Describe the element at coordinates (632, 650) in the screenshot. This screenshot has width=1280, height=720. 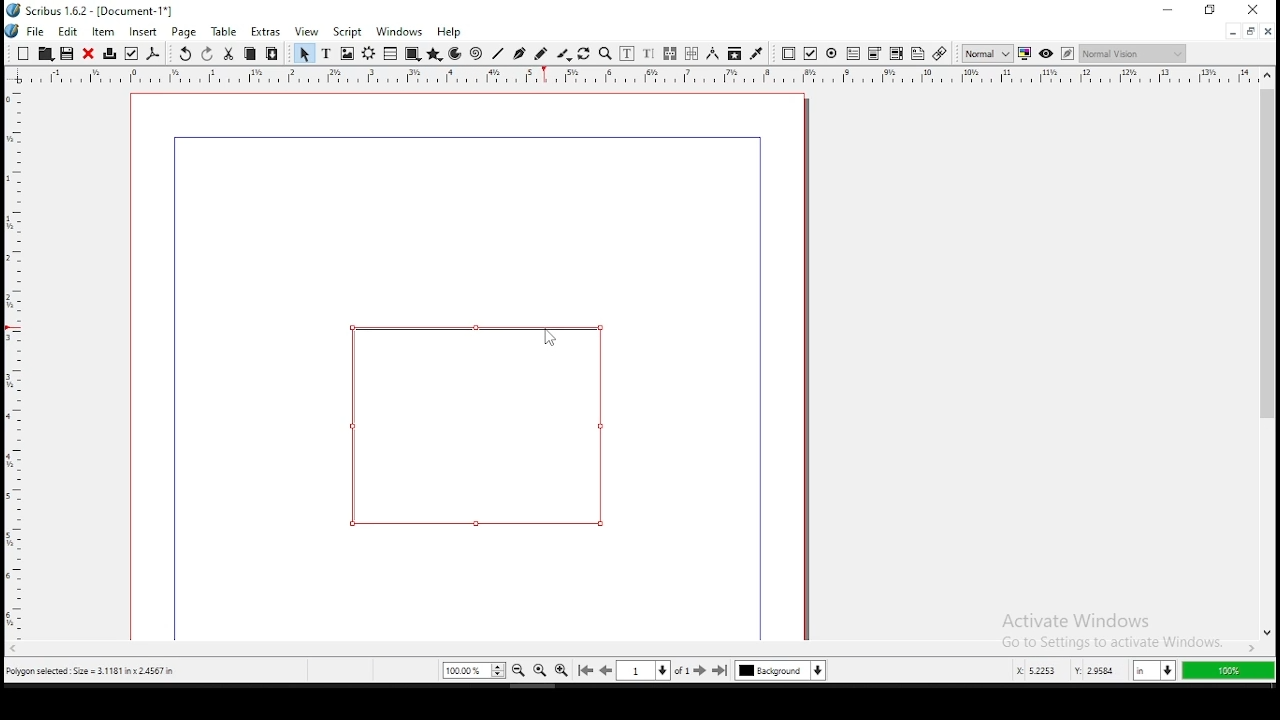
I see `scroll bar` at that location.